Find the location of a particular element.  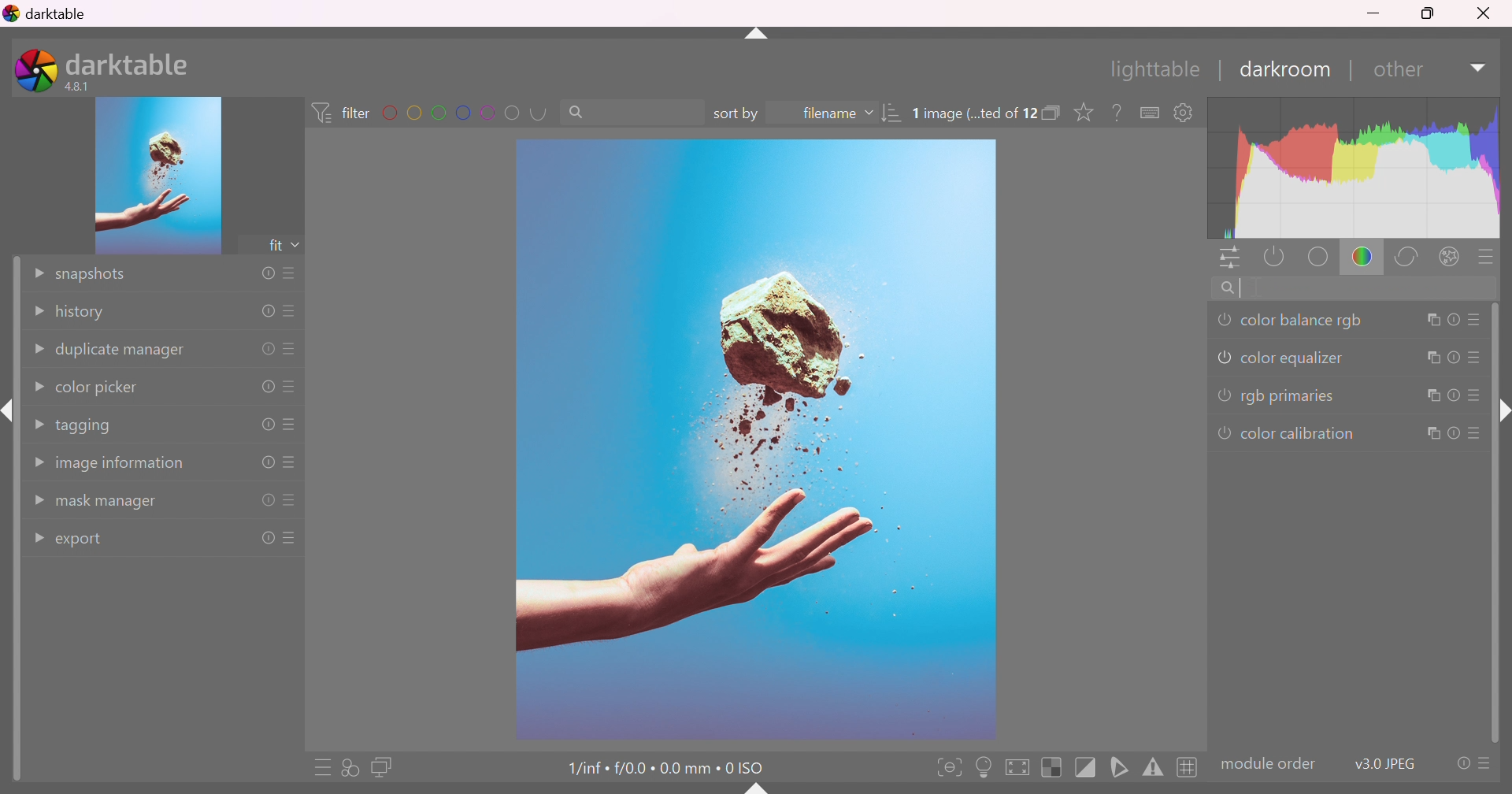

 is located at coordinates (870, 112).